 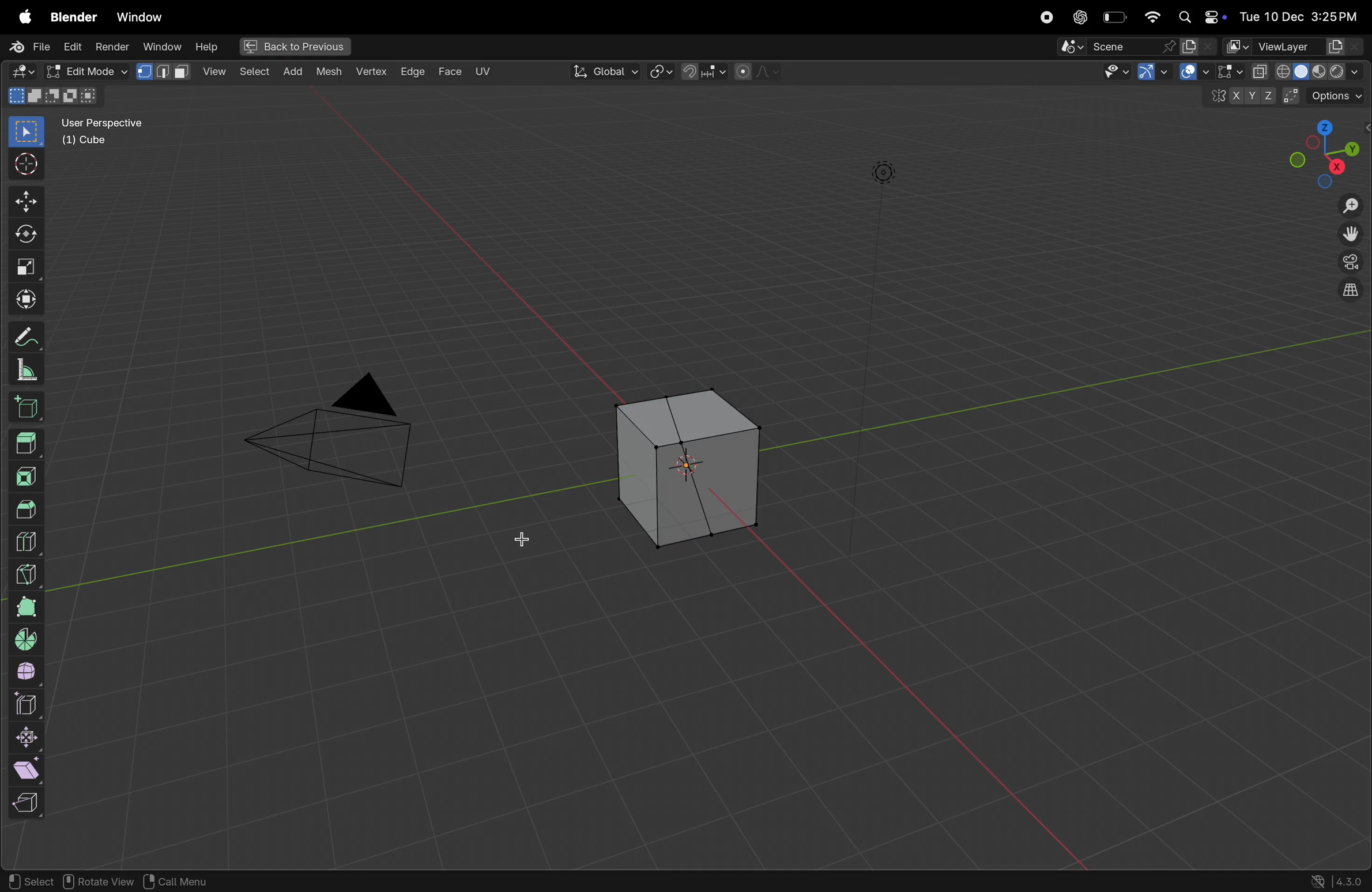 What do you see at coordinates (1201, 16) in the screenshot?
I see `apple widgets` at bounding box center [1201, 16].